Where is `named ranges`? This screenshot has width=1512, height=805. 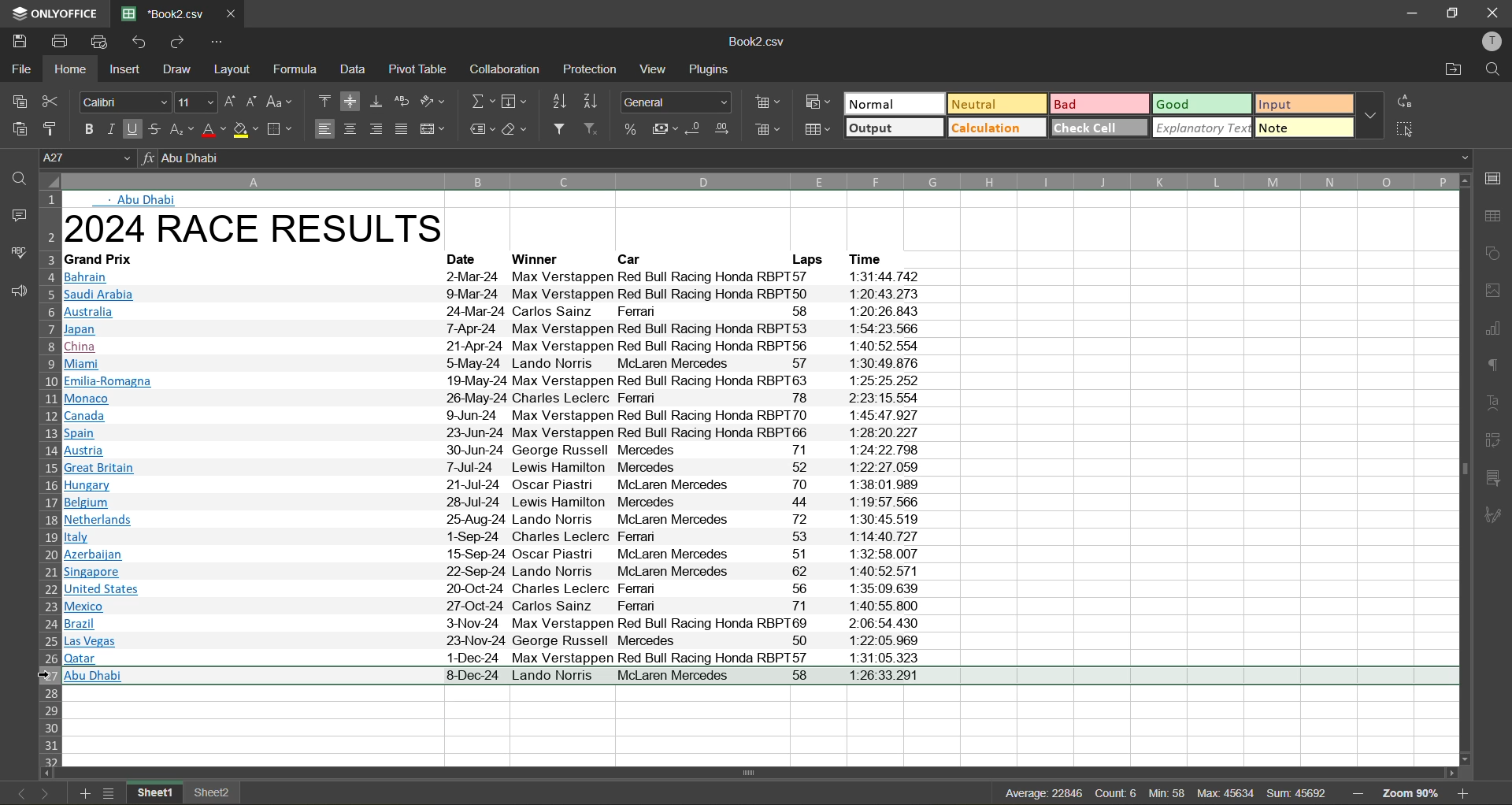
named ranges is located at coordinates (482, 128).